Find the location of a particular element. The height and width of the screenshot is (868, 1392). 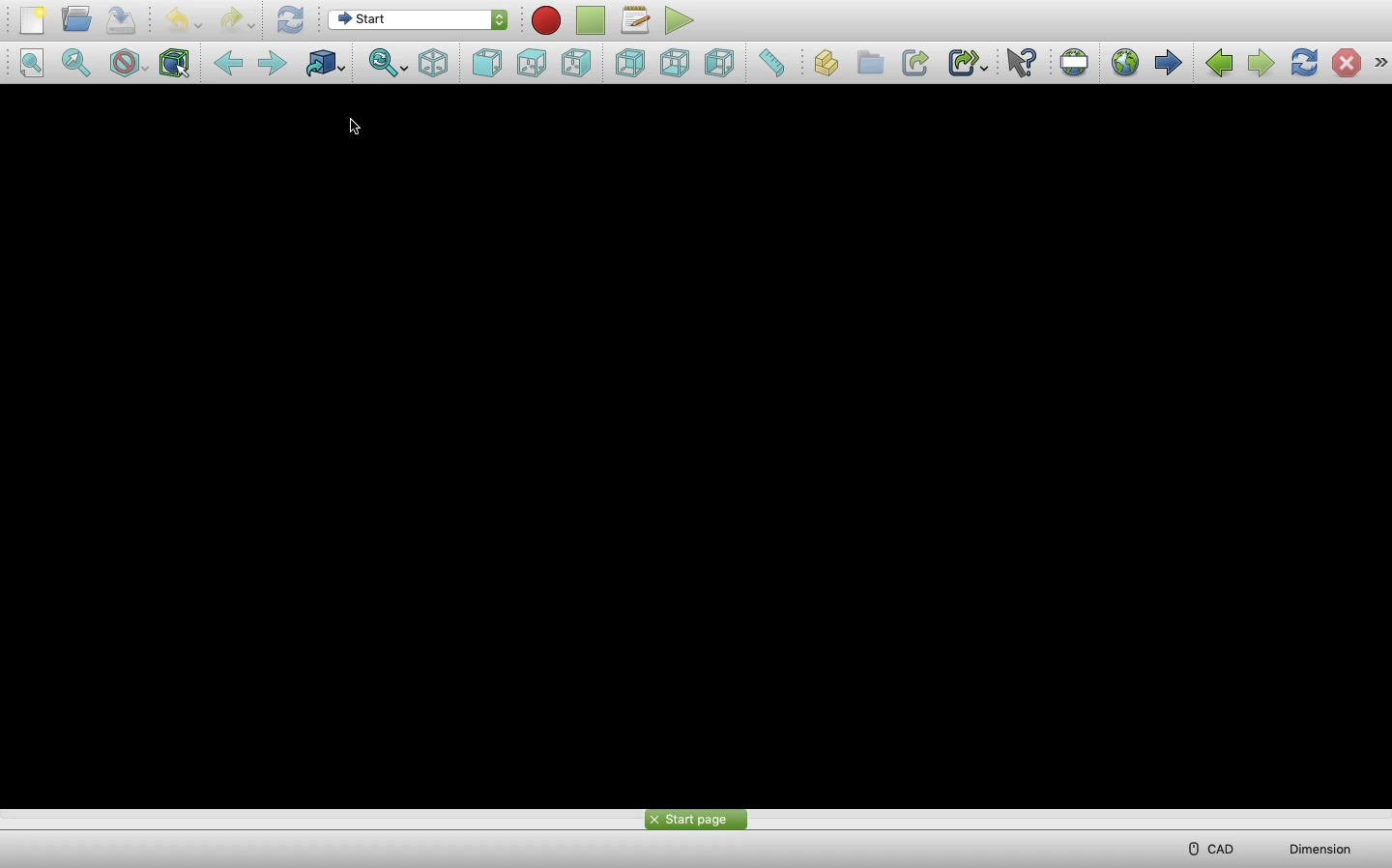

Go to Start Page is located at coordinates (1125, 61).